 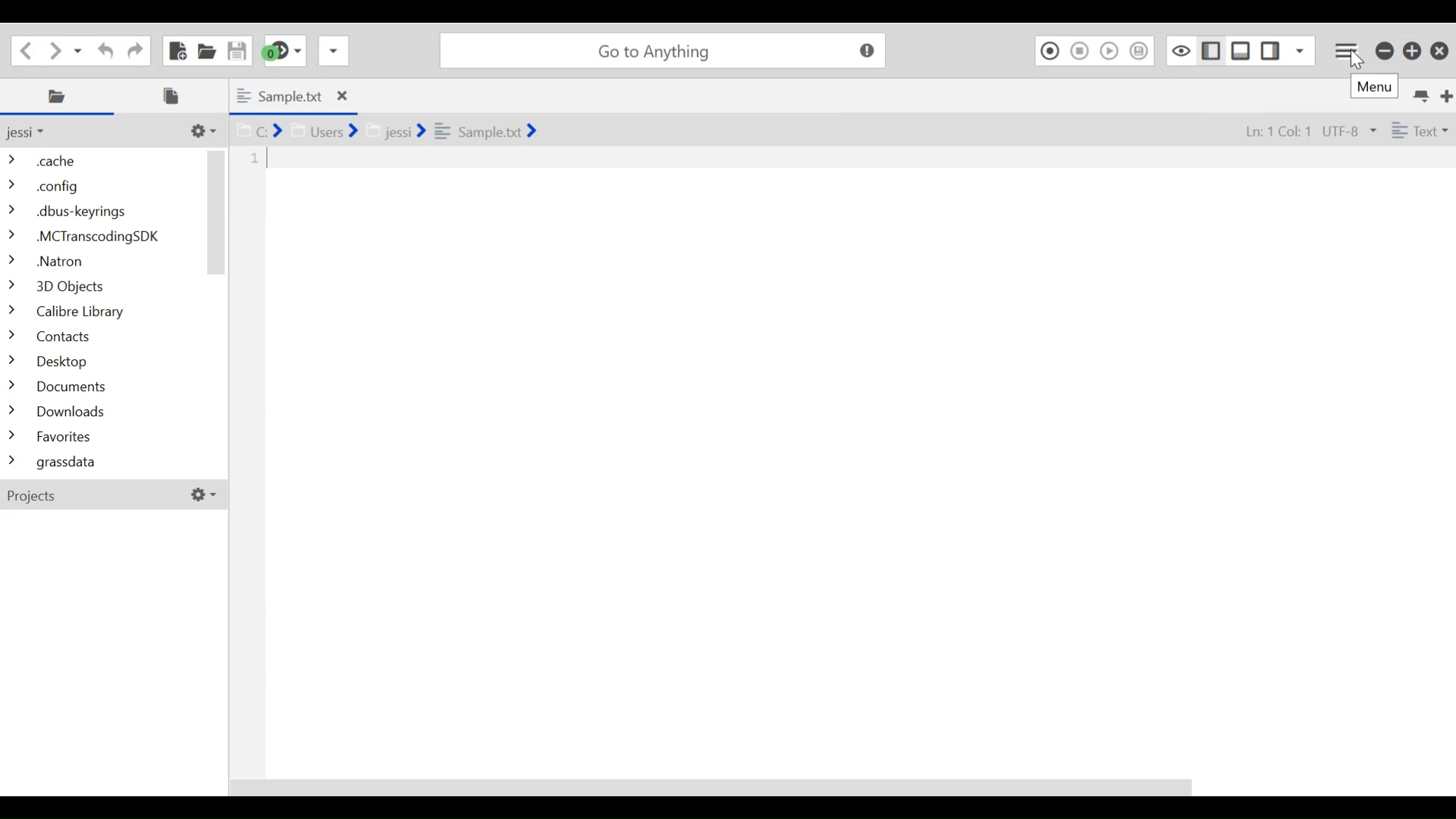 I want to click on Text Entry Pane, so click(x=843, y=462).